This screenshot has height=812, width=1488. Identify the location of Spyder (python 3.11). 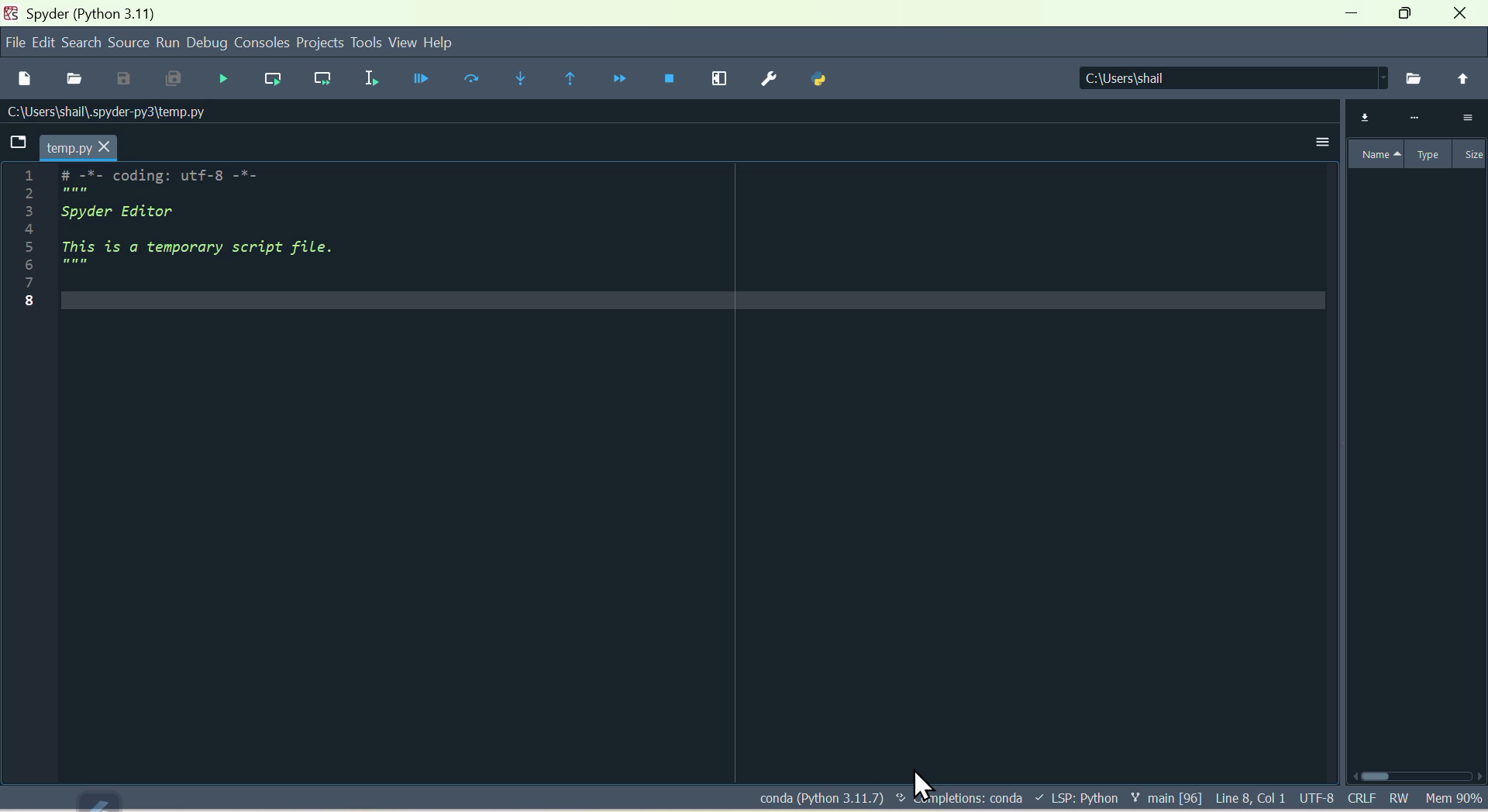
(88, 12).